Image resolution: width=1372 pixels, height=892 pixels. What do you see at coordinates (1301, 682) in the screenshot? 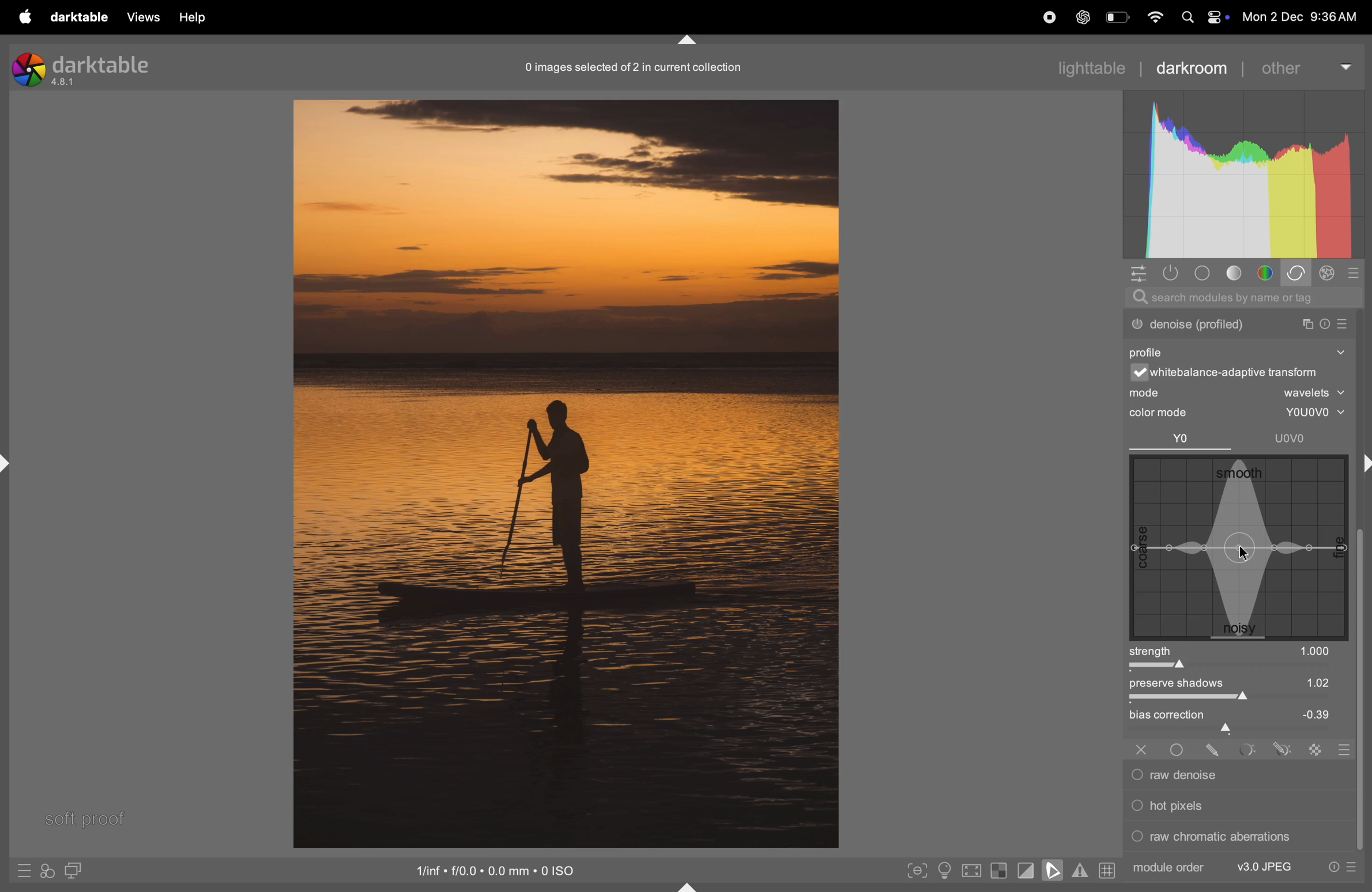
I see `1.02` at bounding box center [1301, 682].